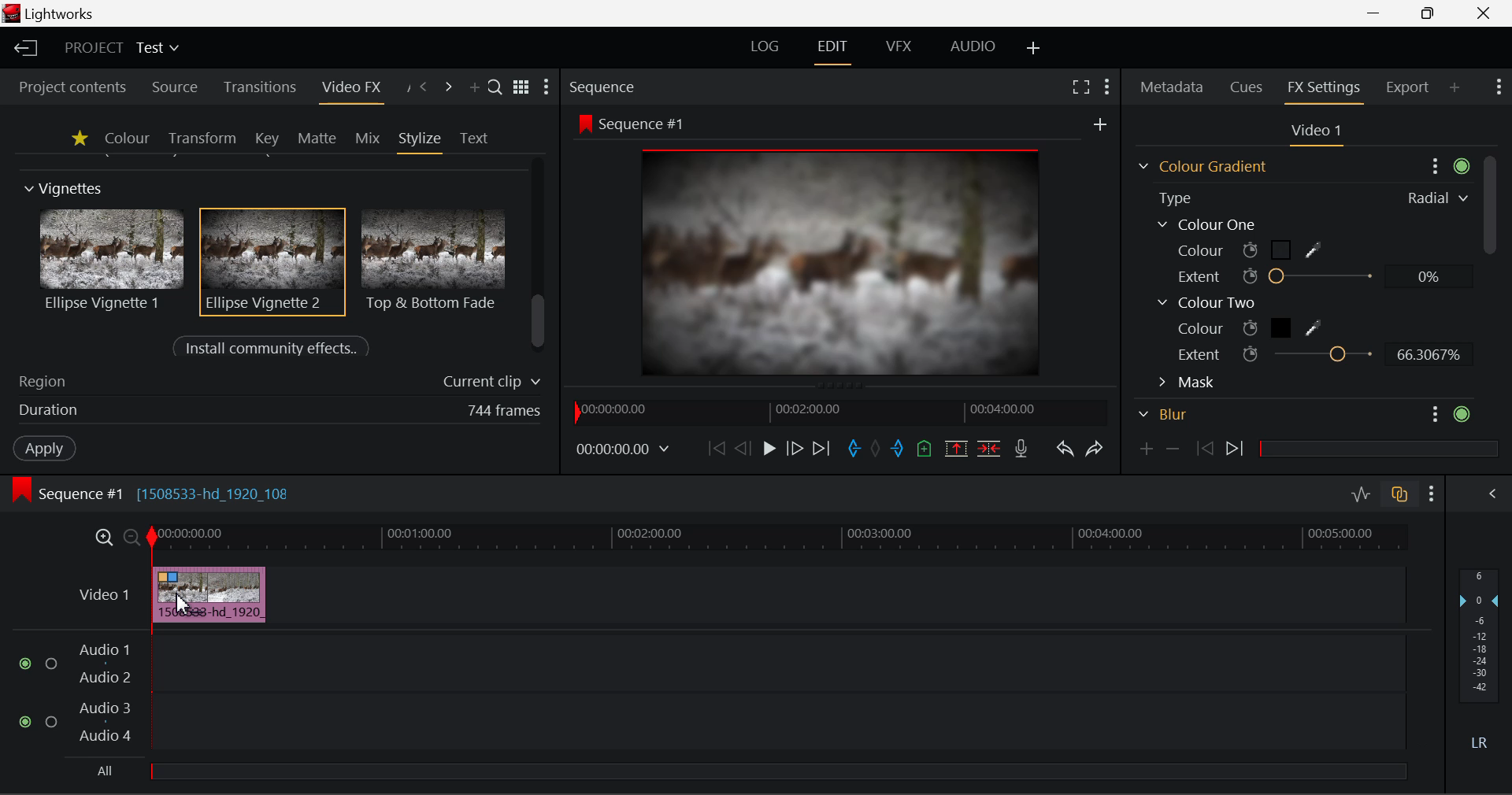 This screenshot has height=795, width=1512. I want to click on Text Panel Open, so click(476, 137).